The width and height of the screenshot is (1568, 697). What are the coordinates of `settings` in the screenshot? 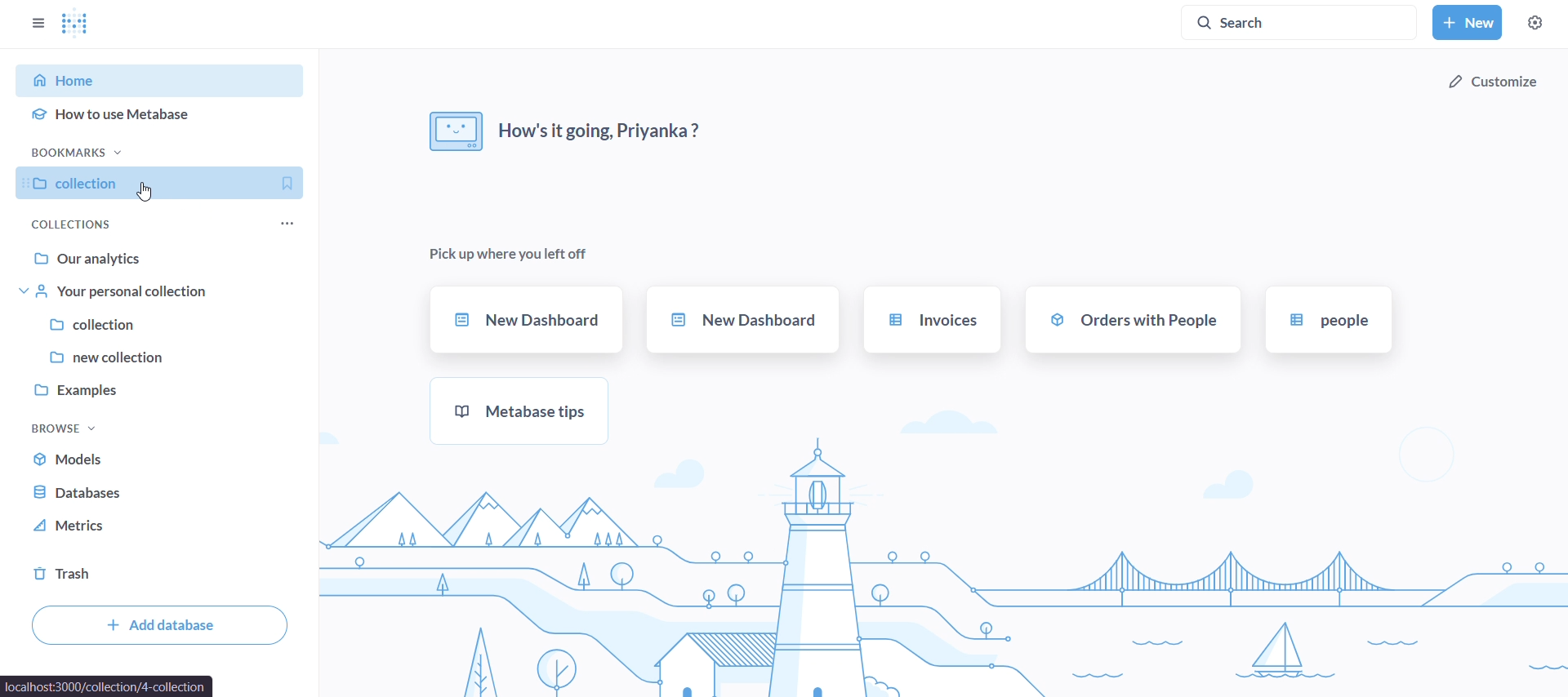 It's located at (1535, 24).